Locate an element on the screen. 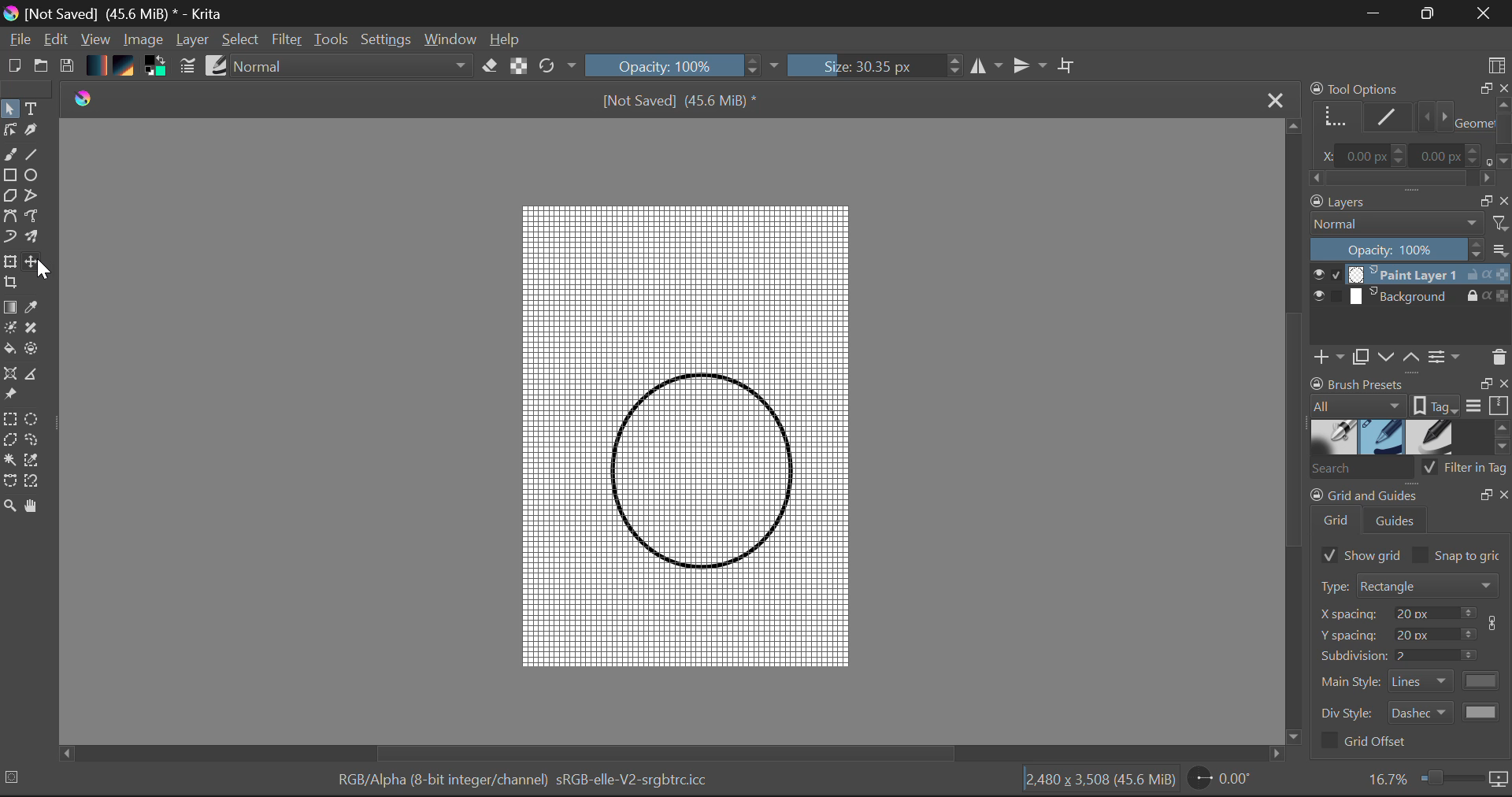  Calligraphic Tool is located at coordinates (36, 132).